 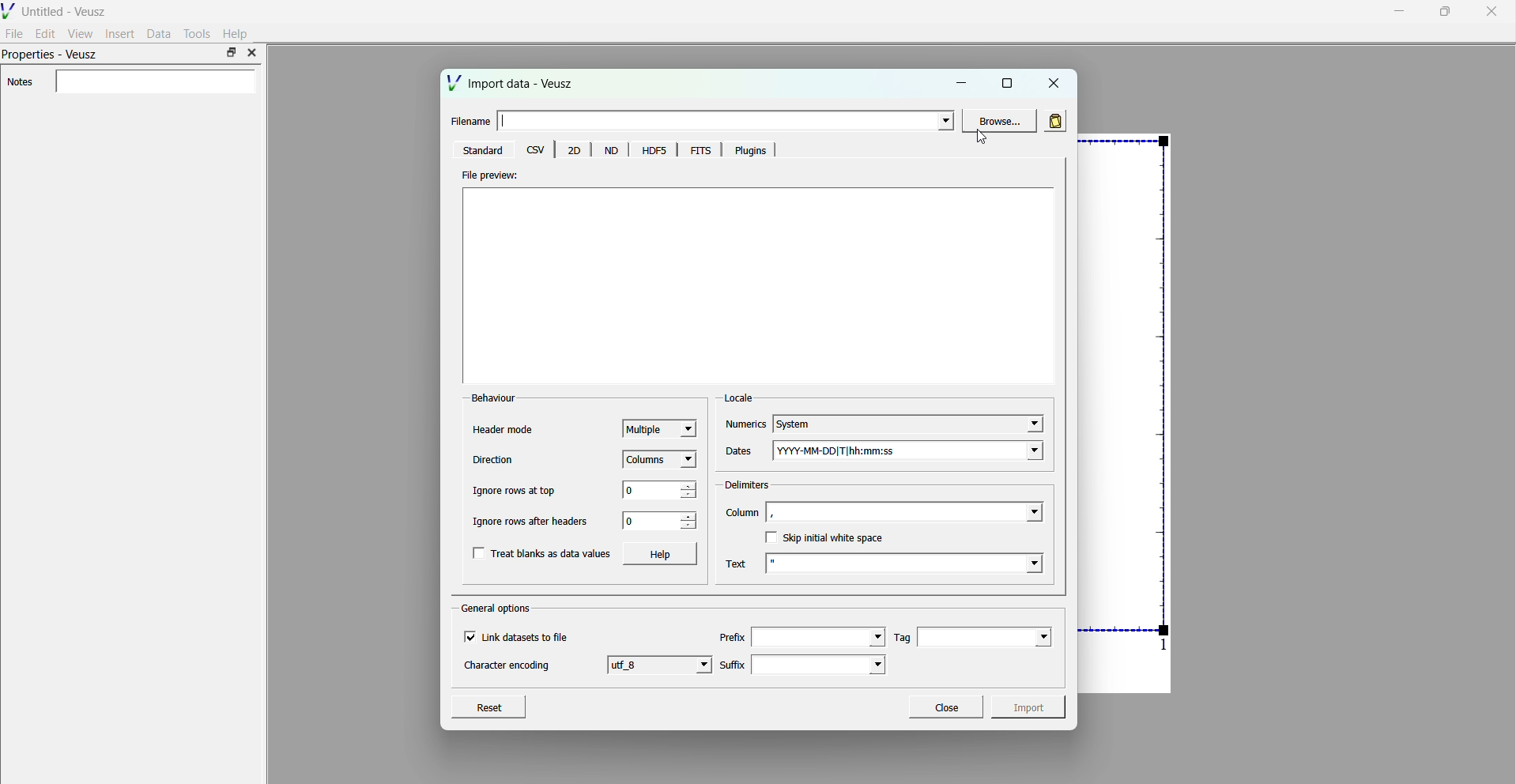 I want to click on csv, so click(x=534, y=149).